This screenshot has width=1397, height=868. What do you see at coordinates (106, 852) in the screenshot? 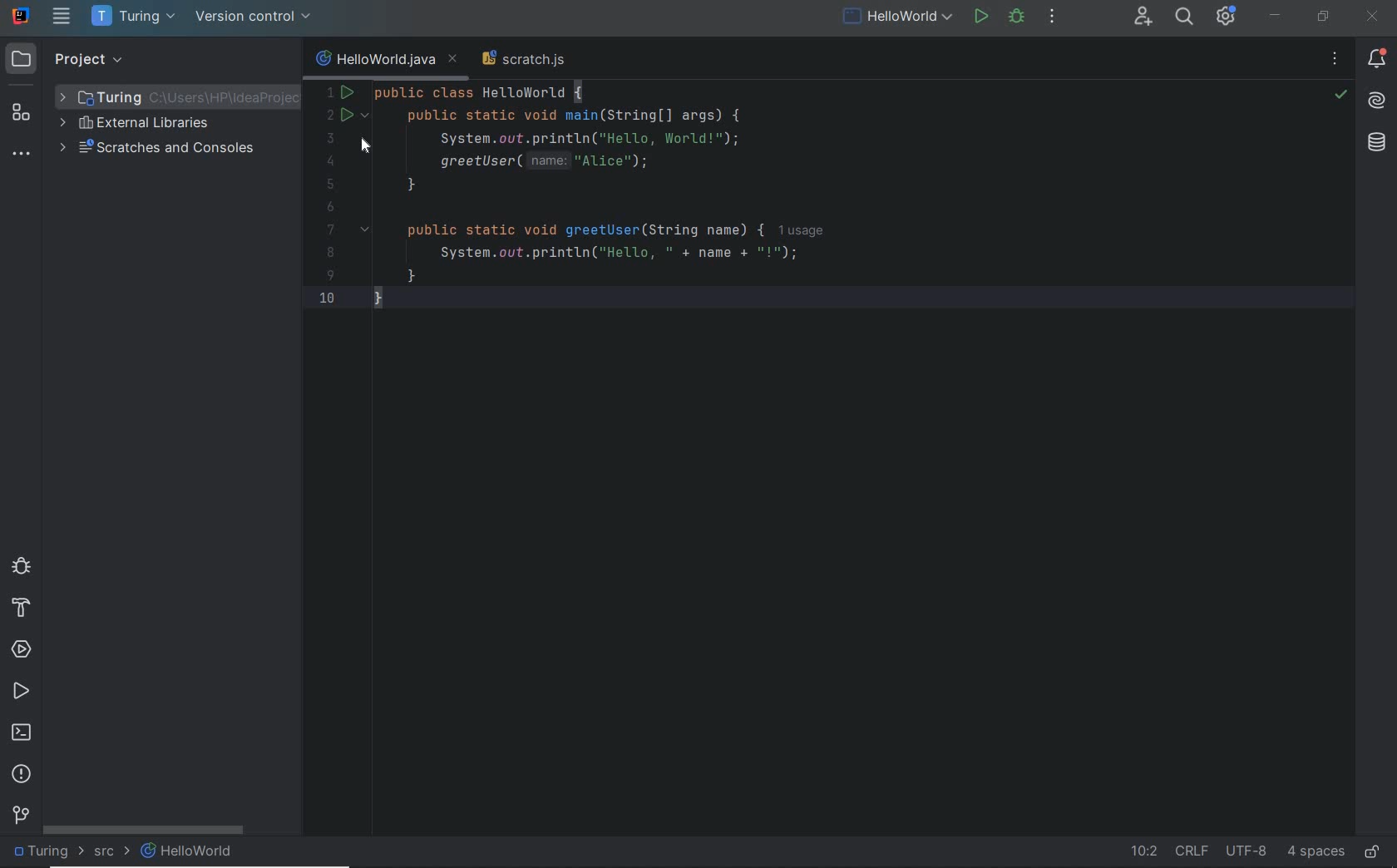
I see `src` at bounding box center [106, 852].